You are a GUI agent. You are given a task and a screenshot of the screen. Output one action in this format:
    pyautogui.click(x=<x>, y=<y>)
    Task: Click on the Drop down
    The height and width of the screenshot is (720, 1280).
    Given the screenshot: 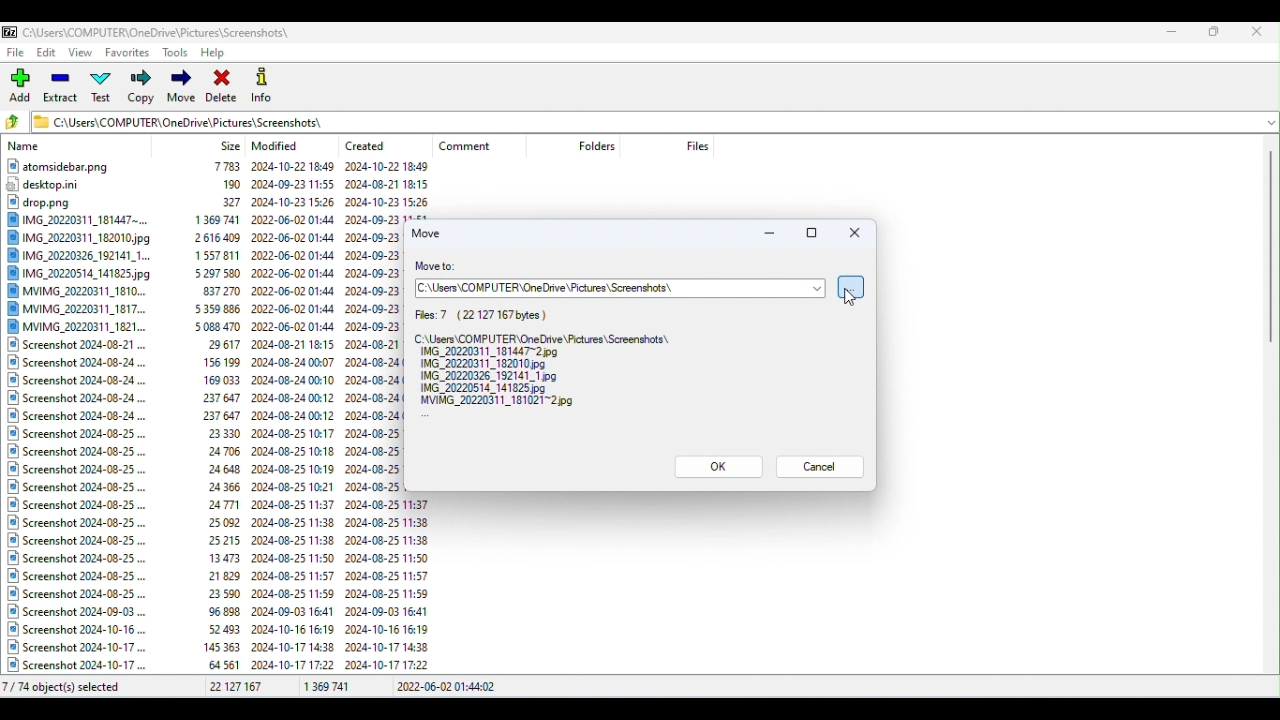 What is the action you would take?
    pyautogui.click(x=817, y=288)
    